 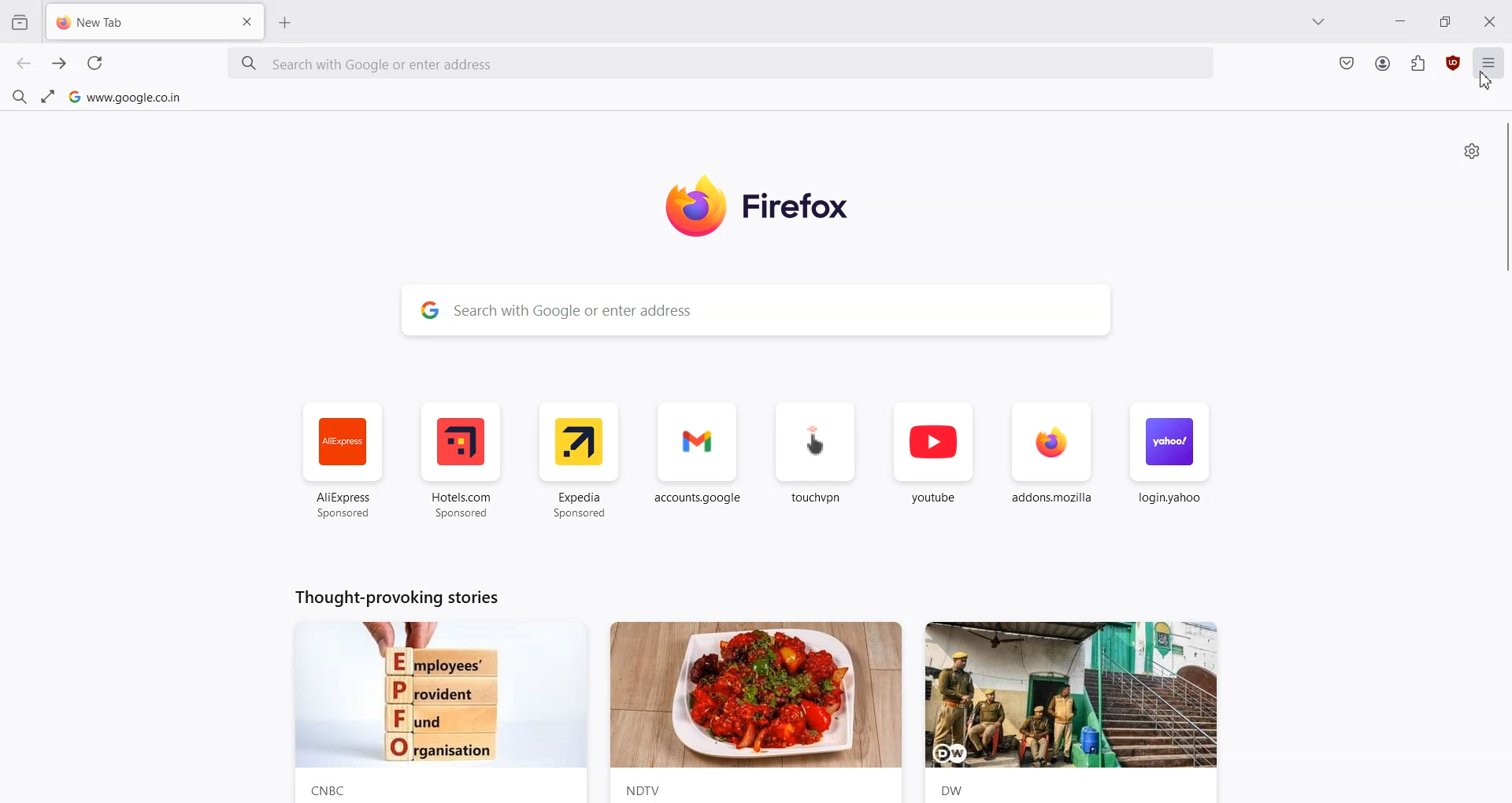 What do you see at coordinates (94, 63) in the screenshot?
I see `Refresh` at bounding box center [94, 63].